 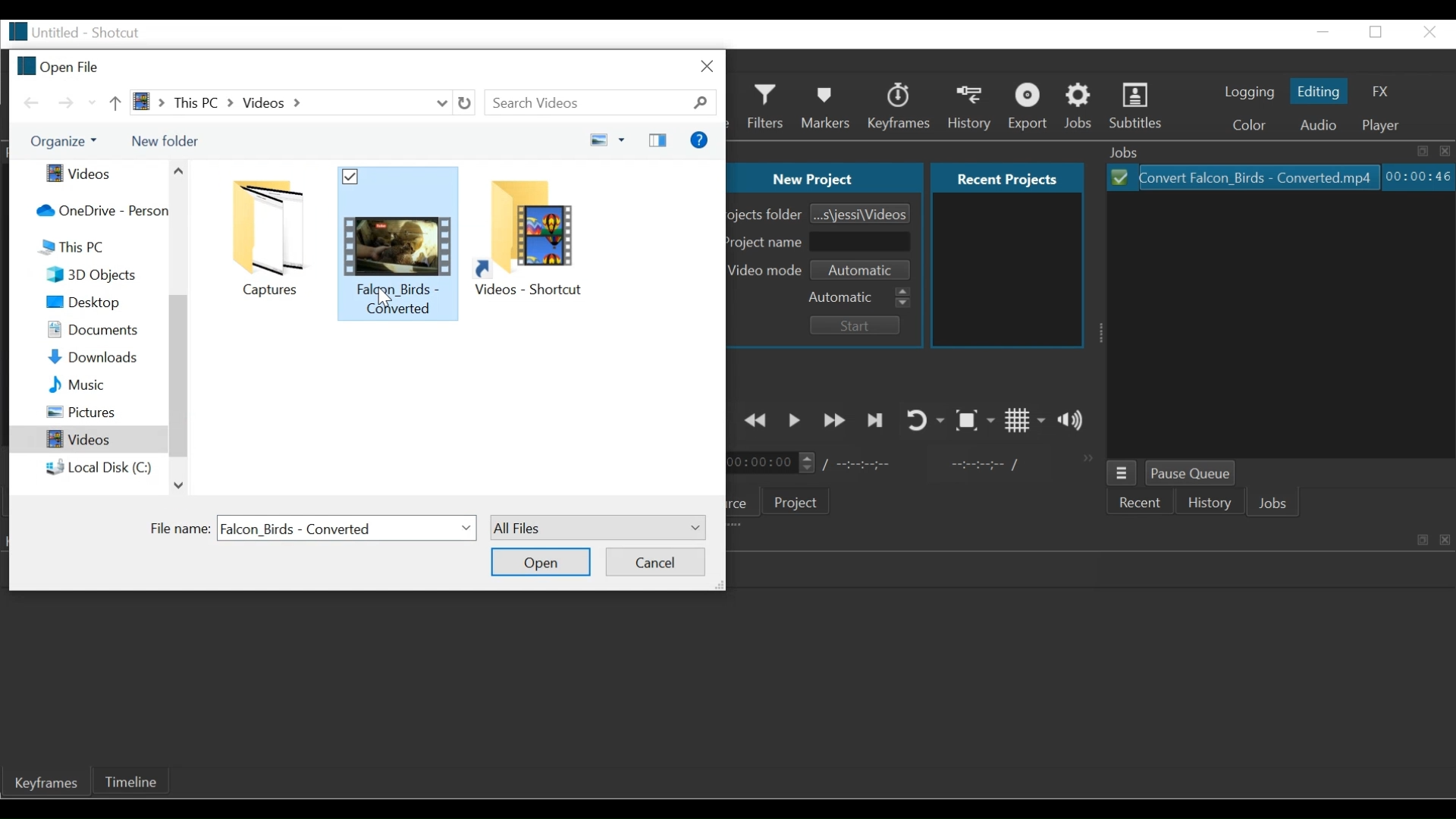 I want to click on Go up, so click(x=118, y=104).